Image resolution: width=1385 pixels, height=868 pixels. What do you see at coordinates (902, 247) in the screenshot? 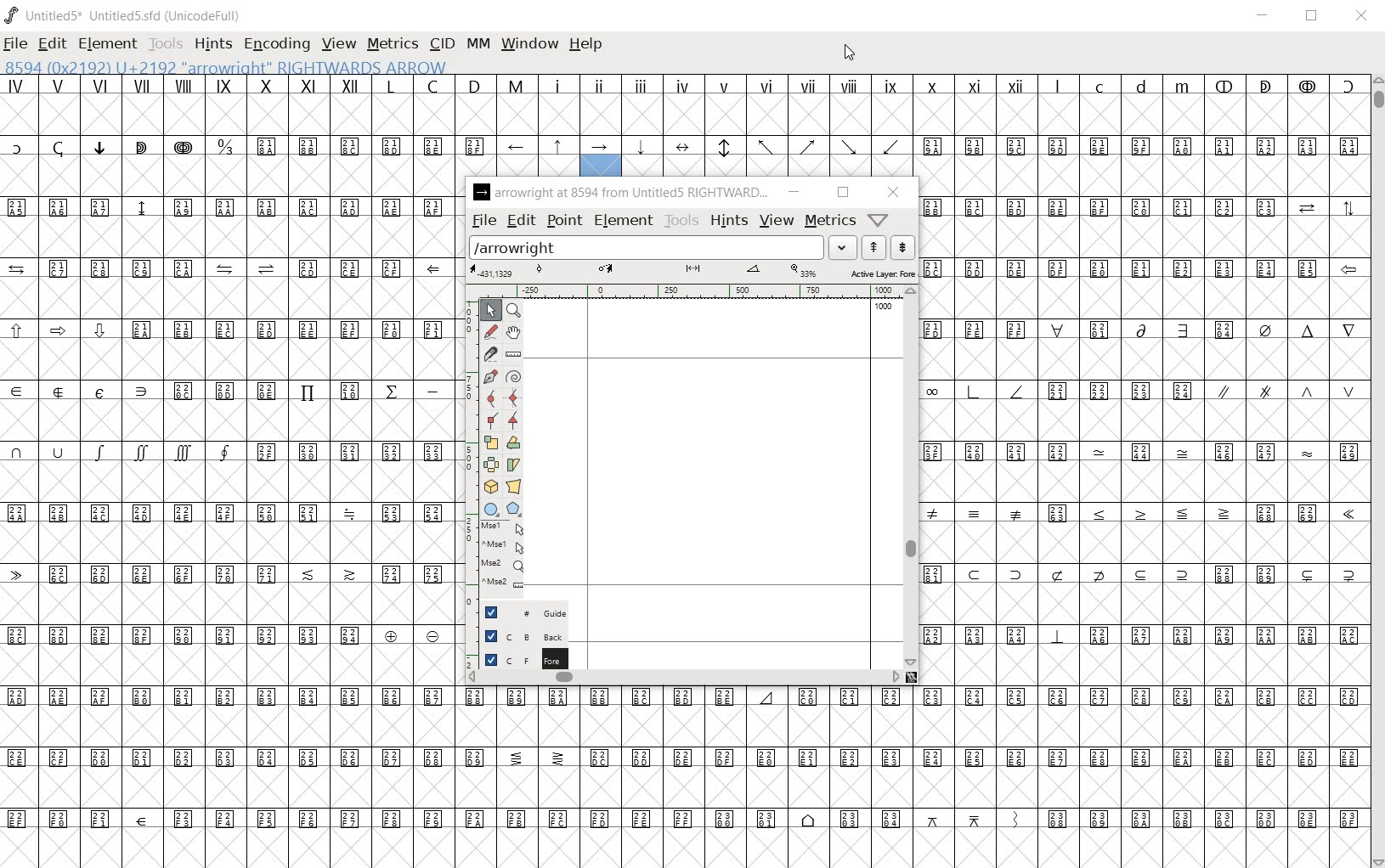
I see `show the previous word on the list` at bounding box center [902, 247].